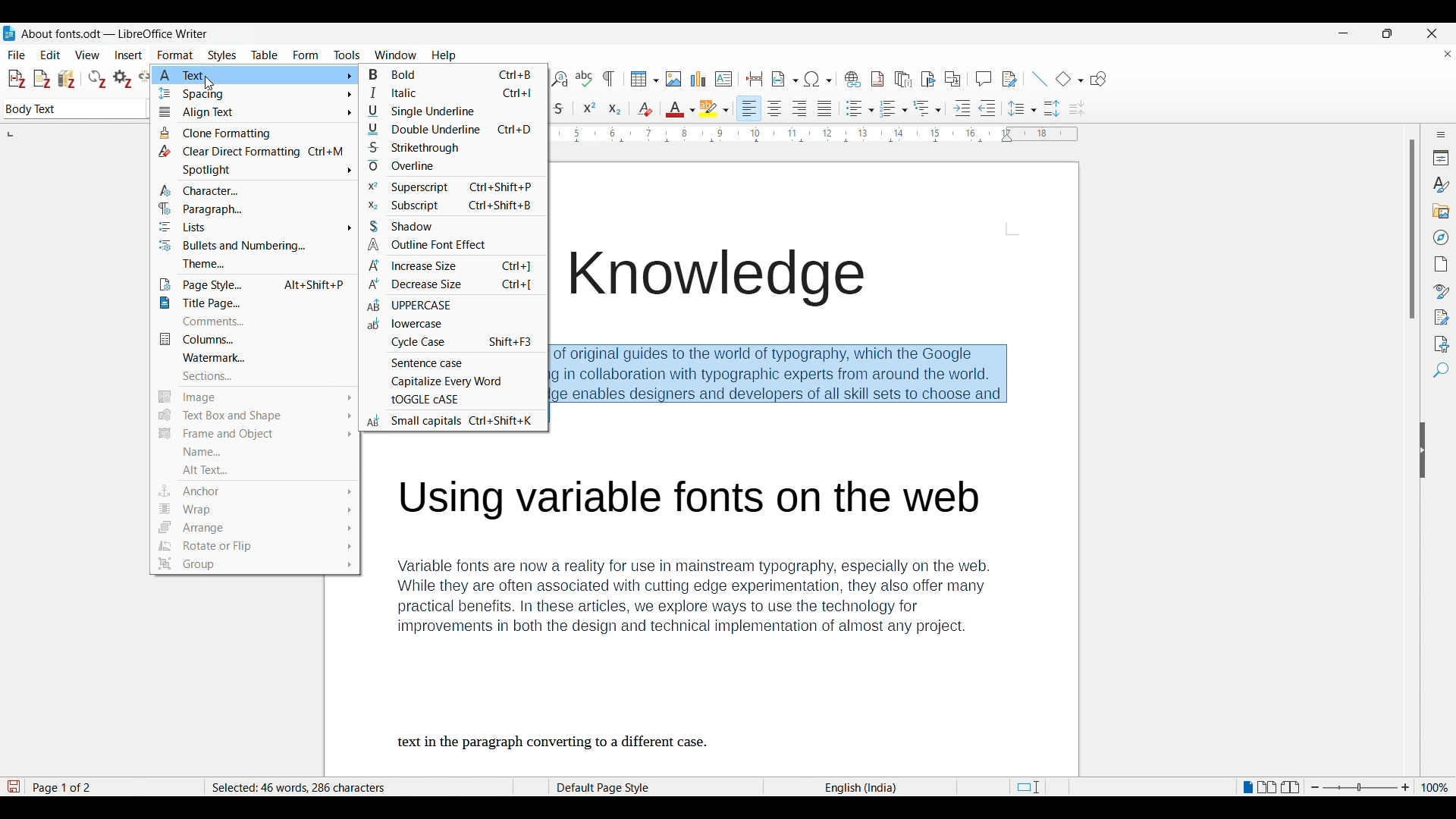 The width and height of the screenshot is (1456, 819). I want to click on theme, so click(250, 264).